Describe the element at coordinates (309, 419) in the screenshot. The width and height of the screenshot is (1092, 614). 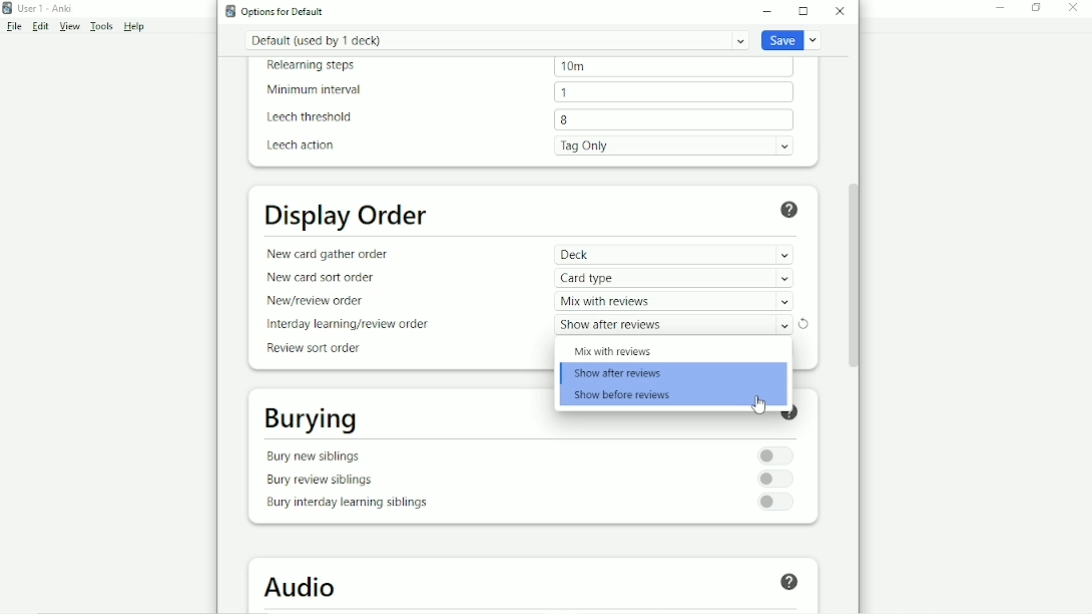
I see `Burying` at that location.